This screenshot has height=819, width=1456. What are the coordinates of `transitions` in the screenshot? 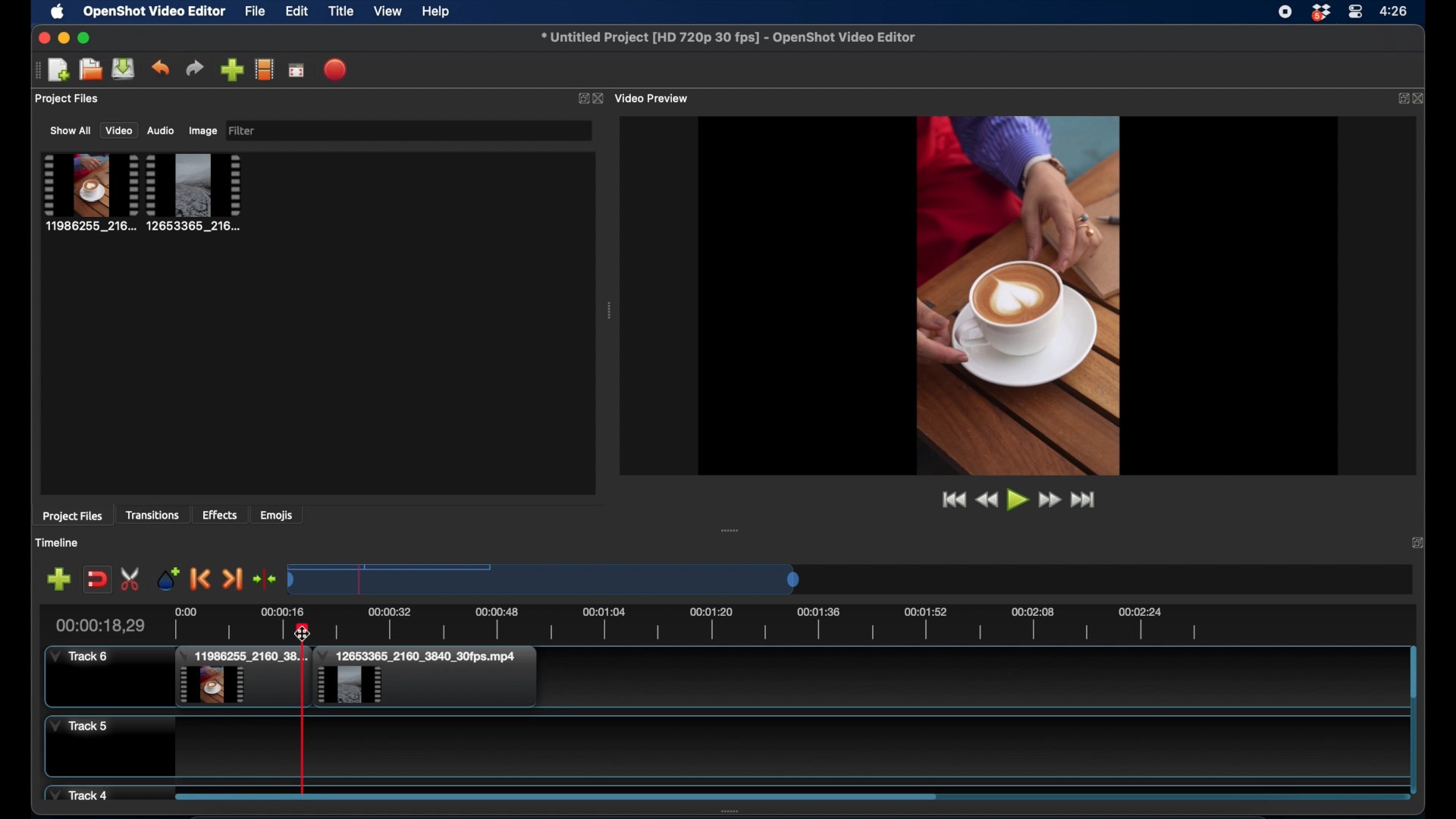 It's located at (154, 515).